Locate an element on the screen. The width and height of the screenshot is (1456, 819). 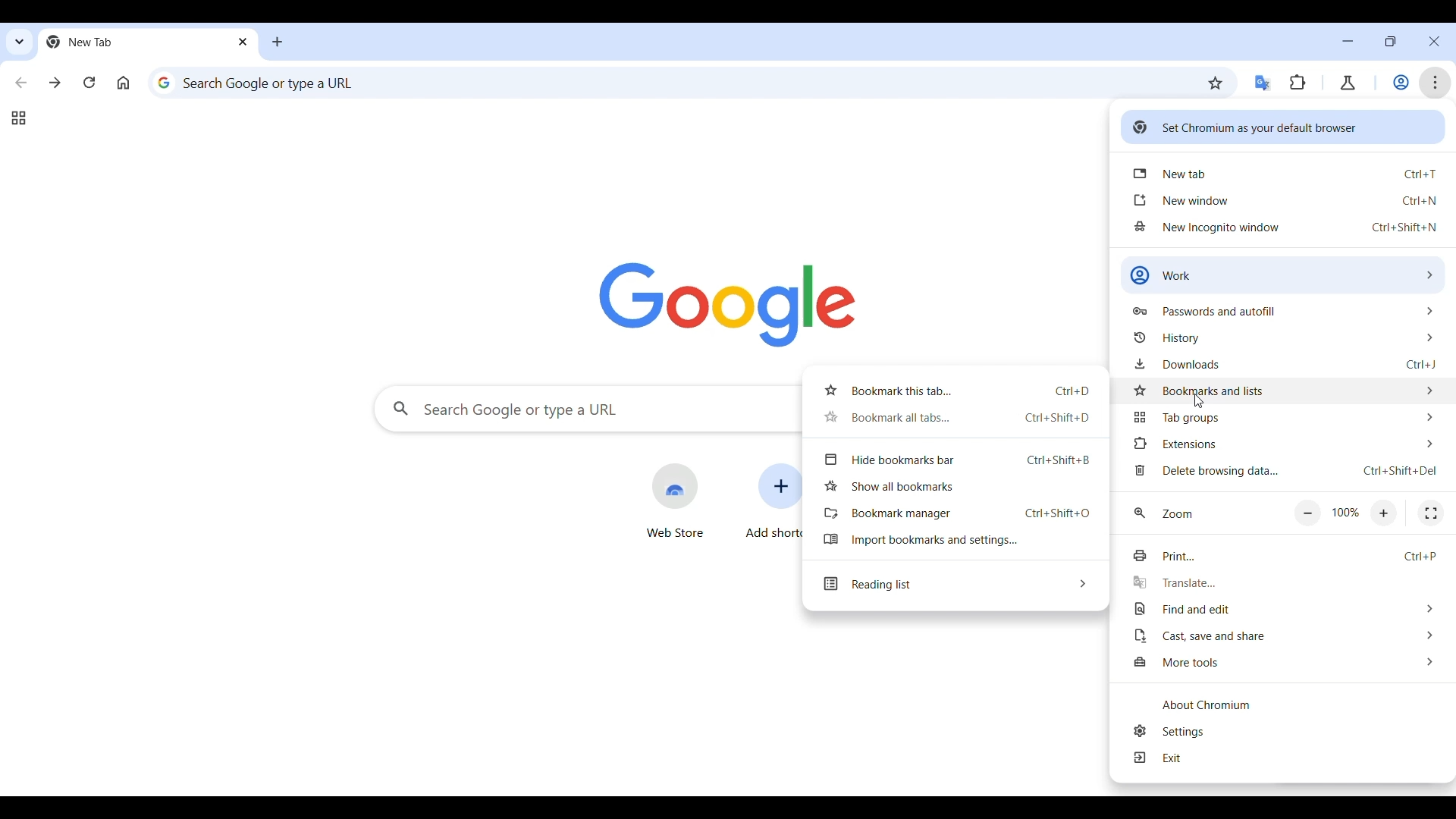
Show interface in a smaller tab is located at coordinates (1389, 42).